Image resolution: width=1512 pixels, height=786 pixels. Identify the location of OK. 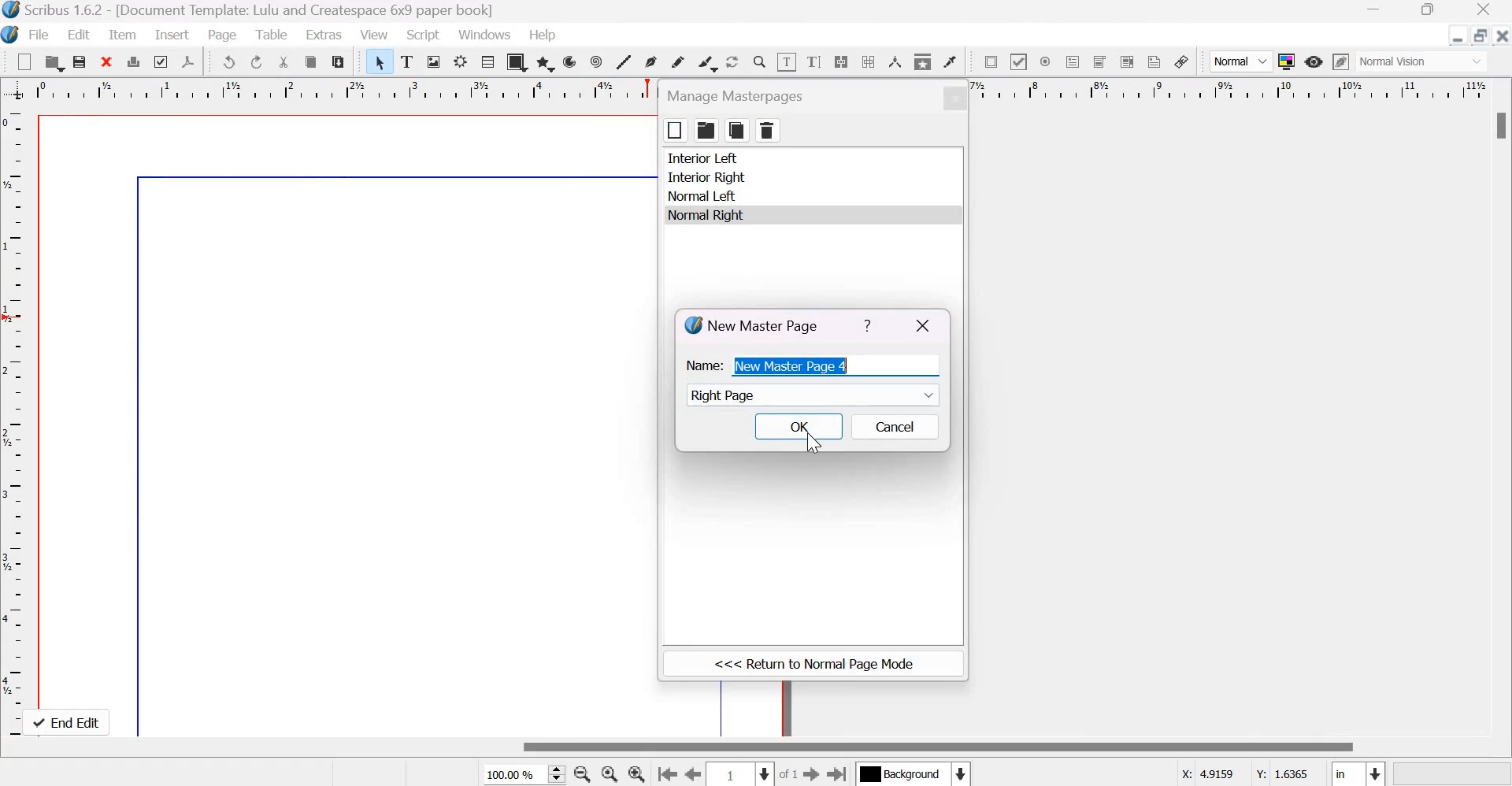
(797, 424).